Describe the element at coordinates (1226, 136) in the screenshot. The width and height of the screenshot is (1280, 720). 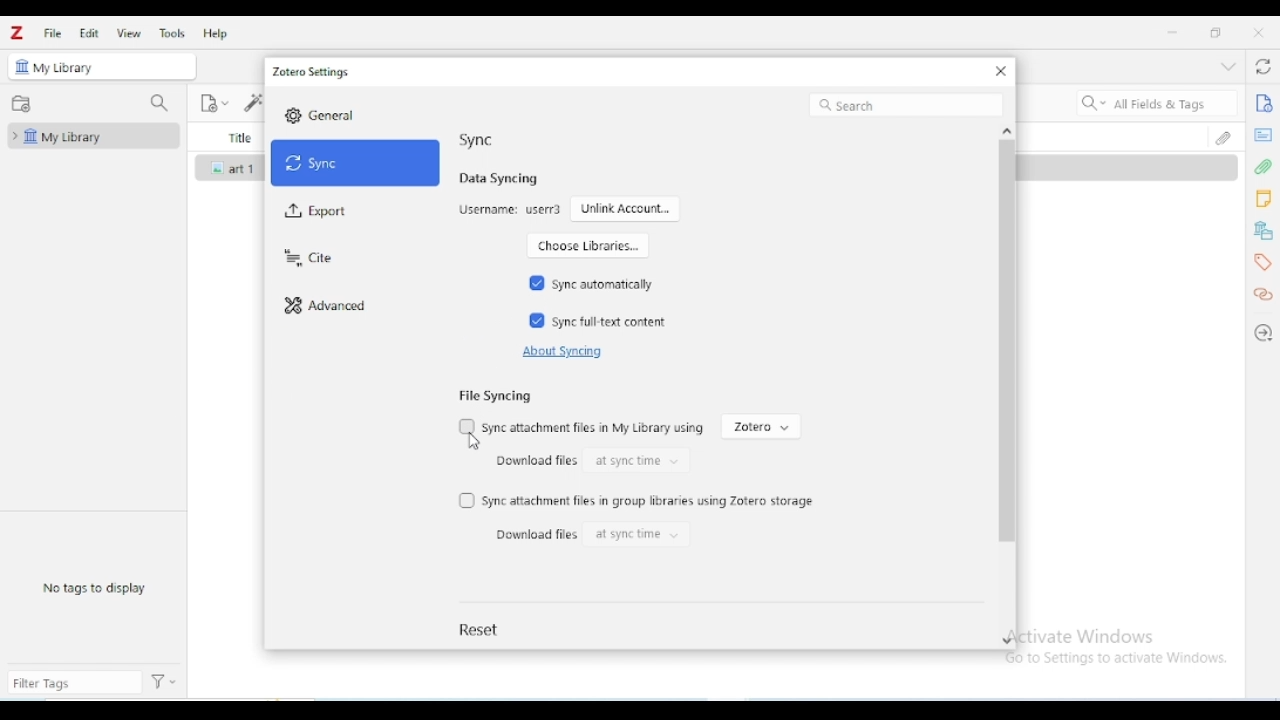
I see `attachments` at that location.